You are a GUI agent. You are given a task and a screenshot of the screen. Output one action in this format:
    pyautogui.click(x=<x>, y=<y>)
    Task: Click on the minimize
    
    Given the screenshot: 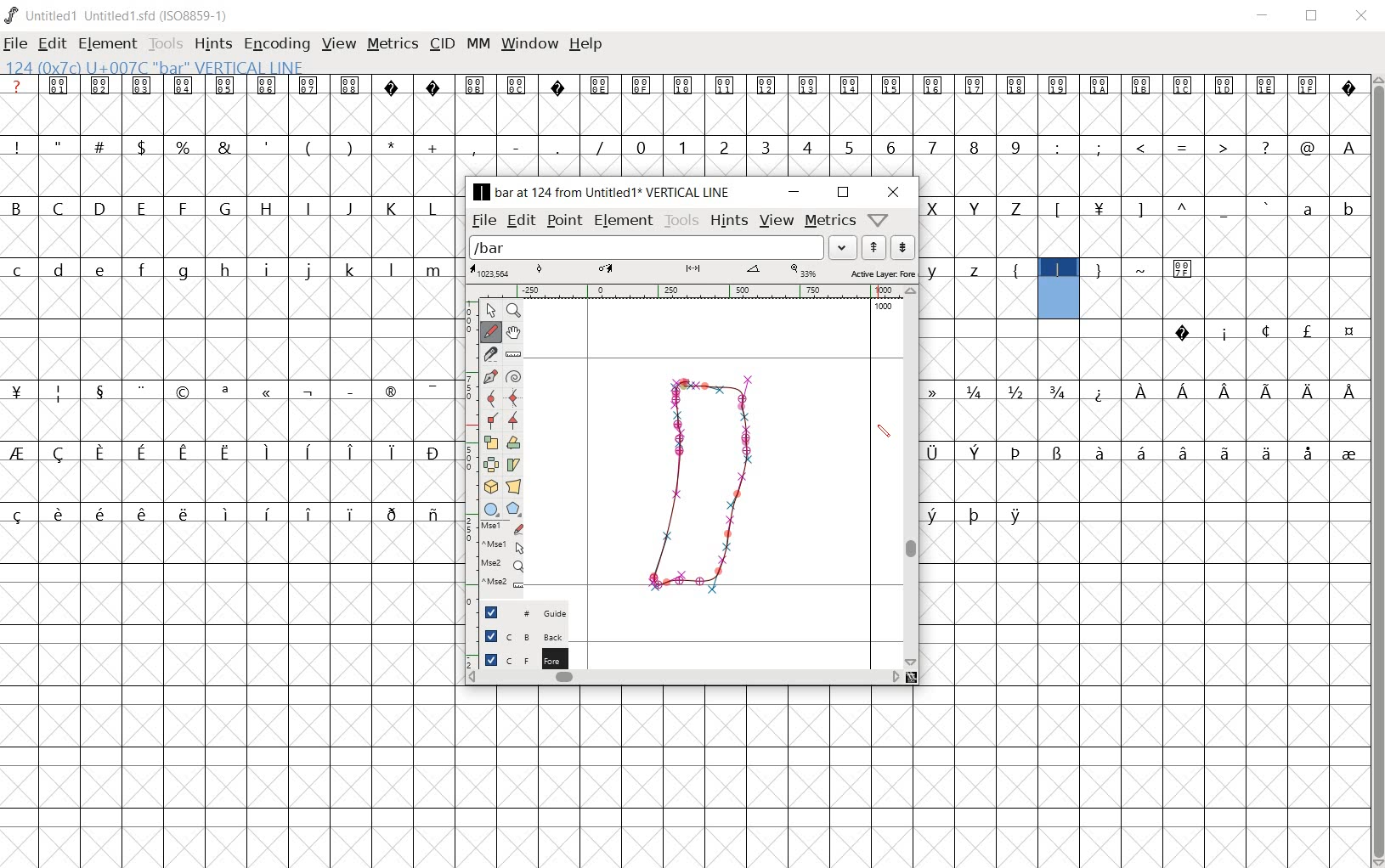 What is the action you would take?
    pyautogui.click(x=794, y=192)
    